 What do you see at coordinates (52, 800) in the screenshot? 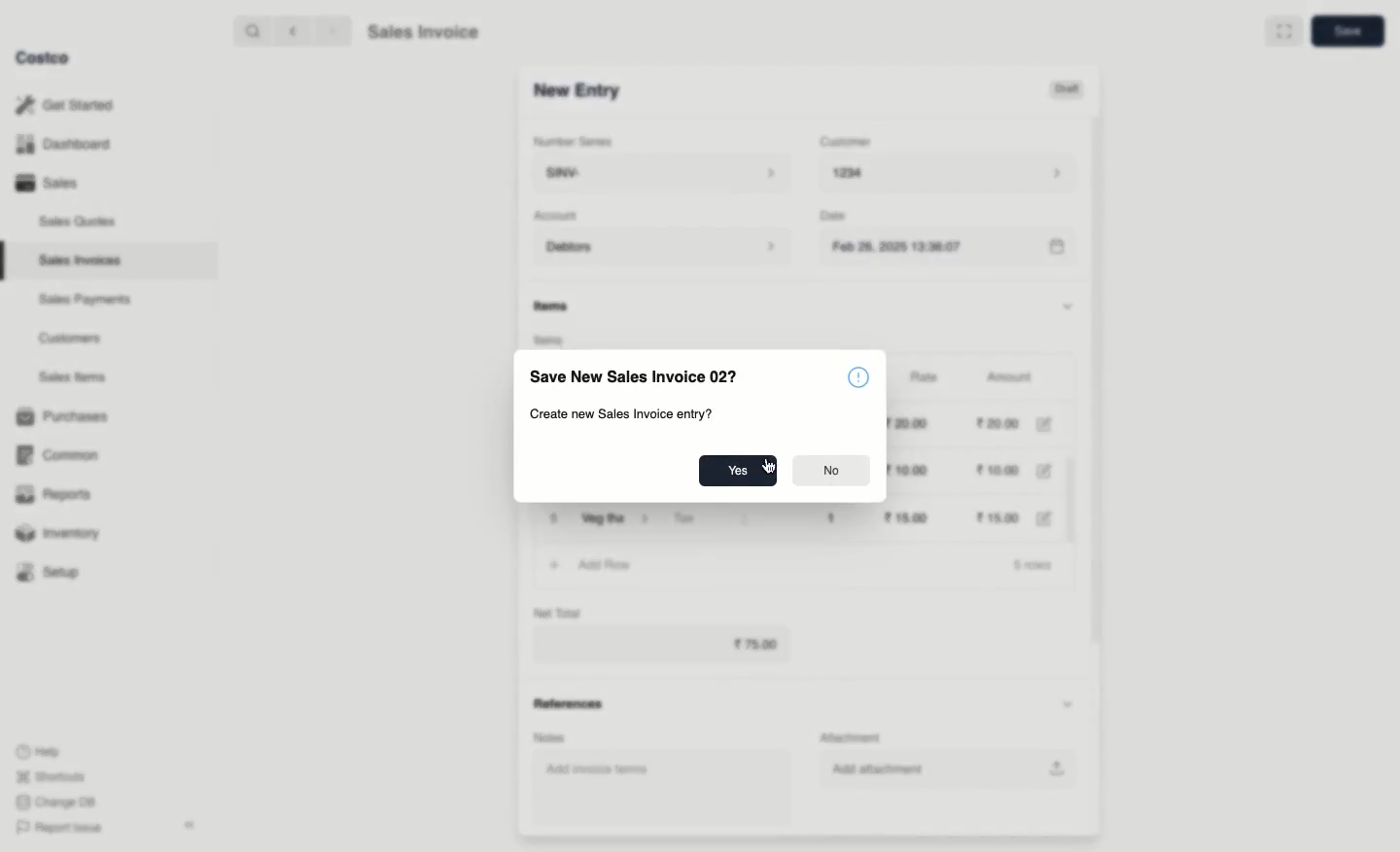
I see `Change DB` at bounding box center [52, 800].